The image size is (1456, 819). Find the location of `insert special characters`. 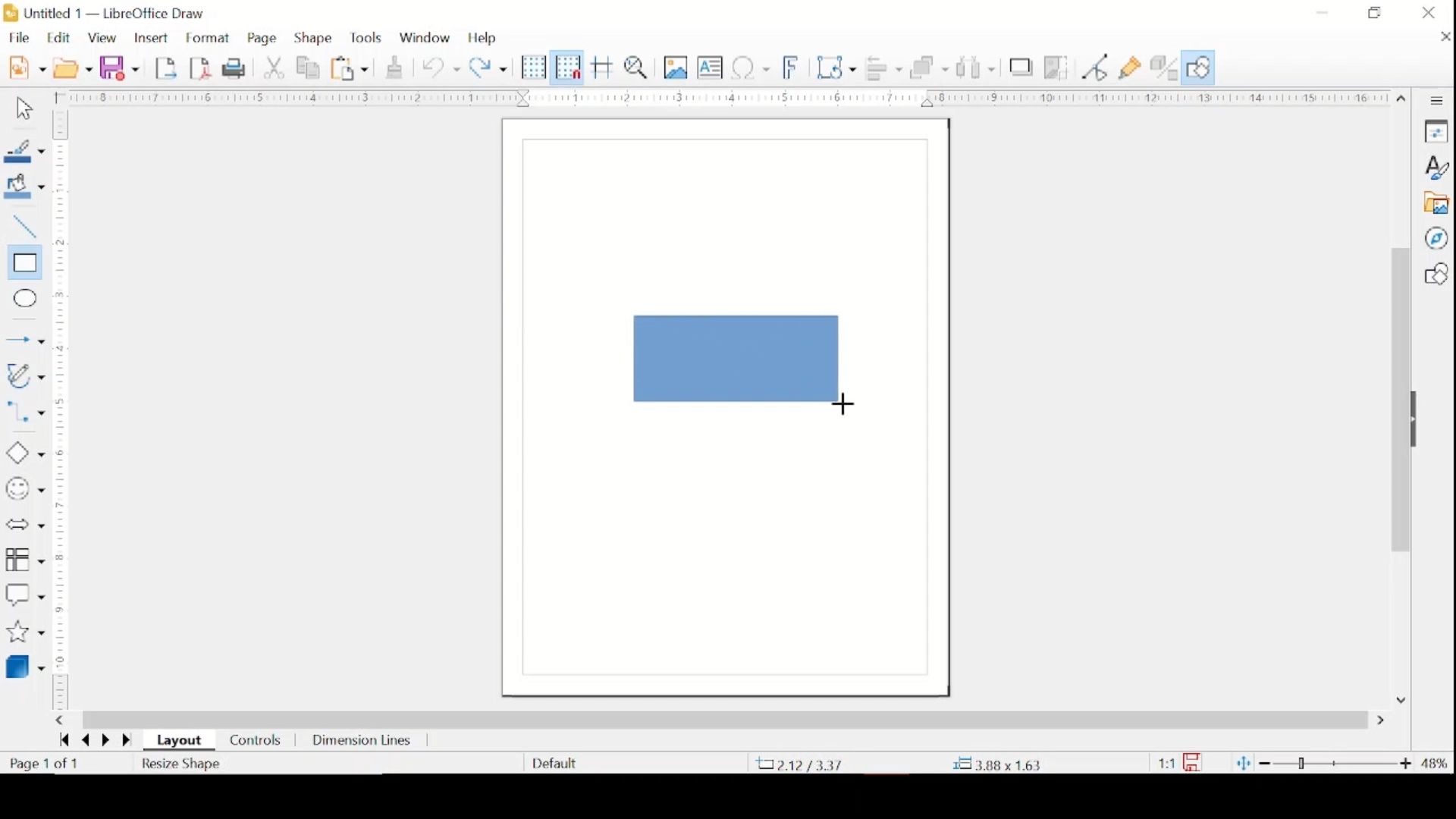

insert special characters is located at coordinates (751, 67).